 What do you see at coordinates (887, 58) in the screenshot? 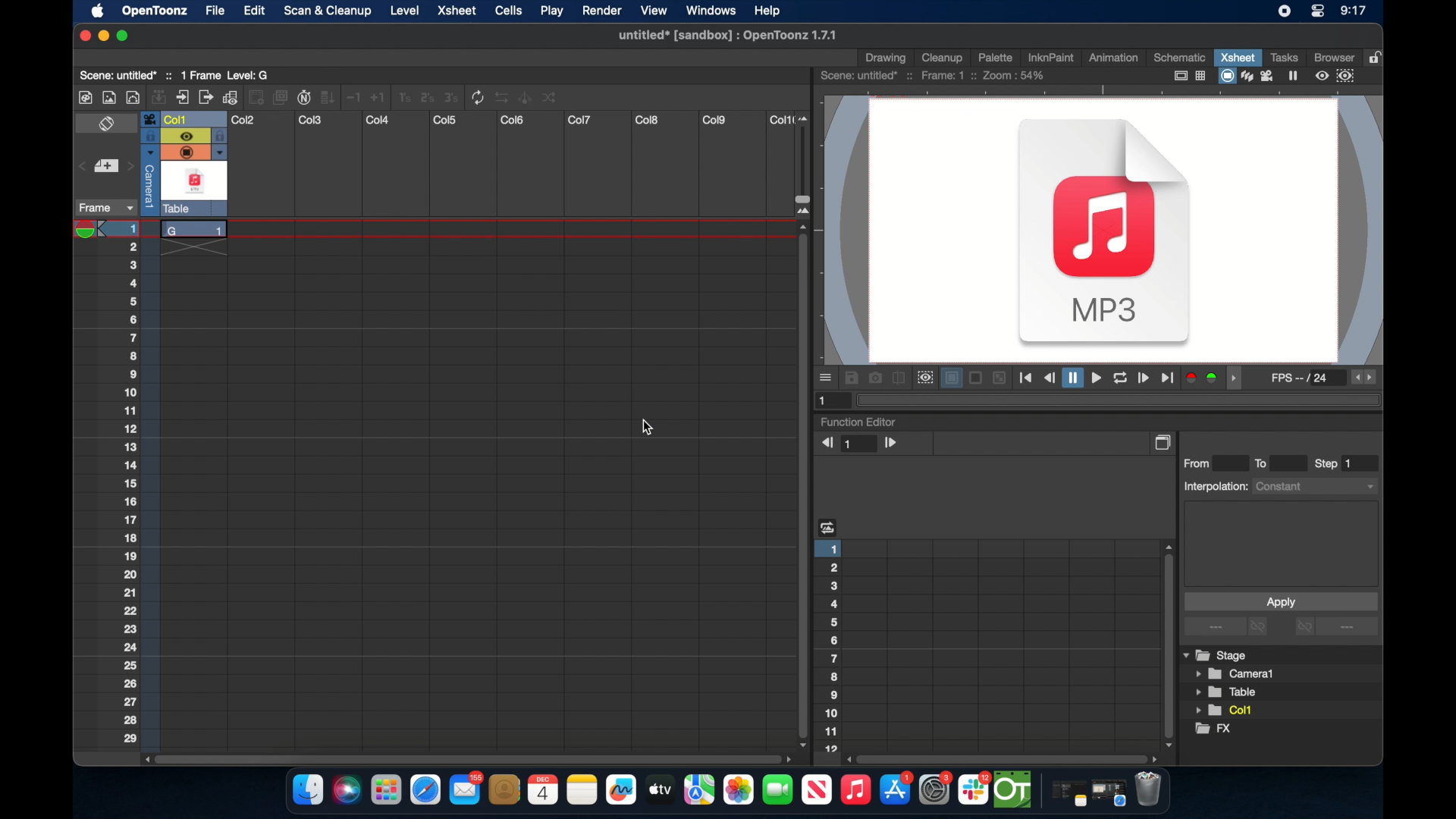
I see `drawing` at bounding box center [887, 58].